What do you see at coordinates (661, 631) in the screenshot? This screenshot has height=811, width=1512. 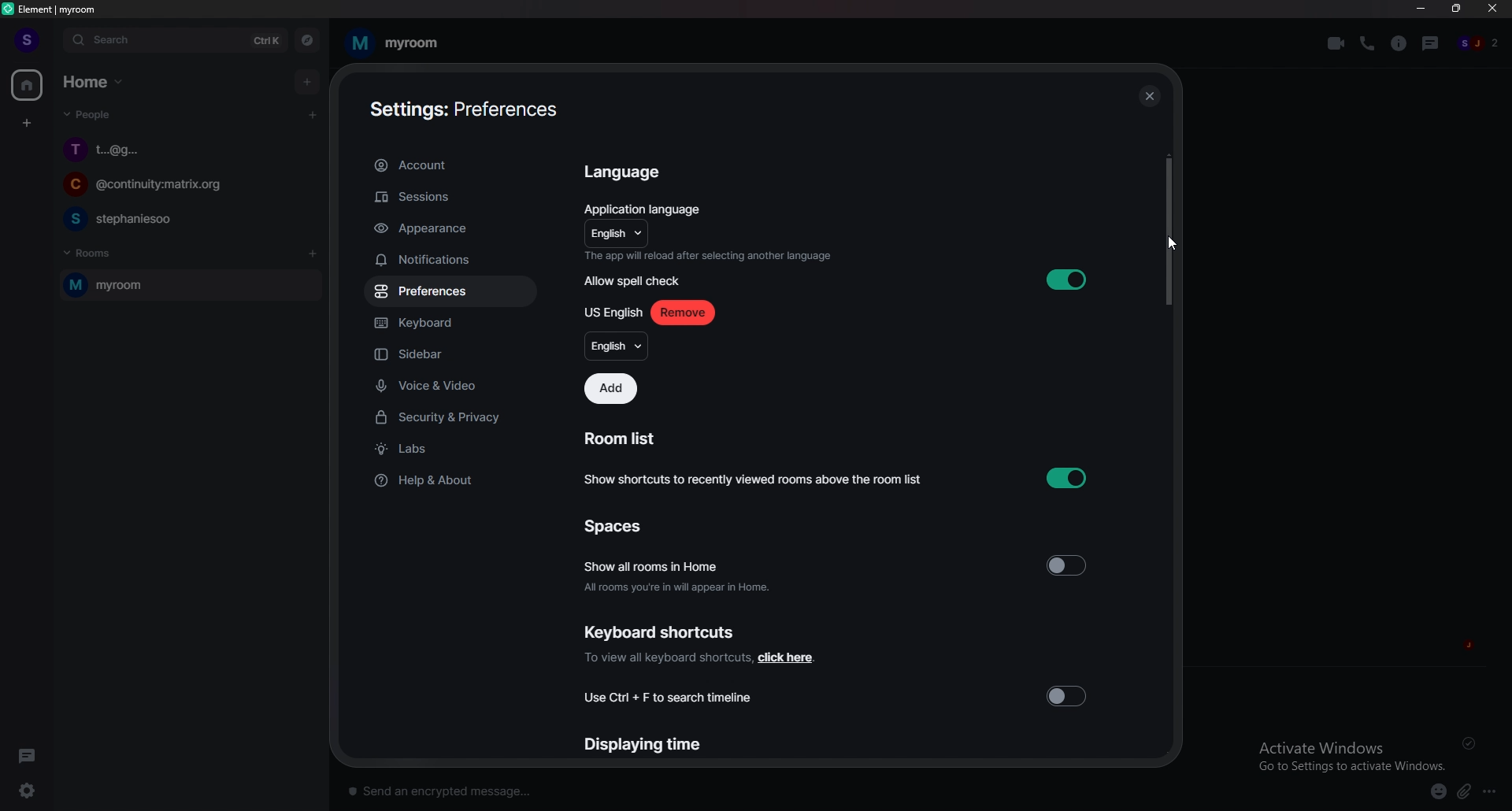 I see `keyboard shortcuts` at bounding box center [661, 631].